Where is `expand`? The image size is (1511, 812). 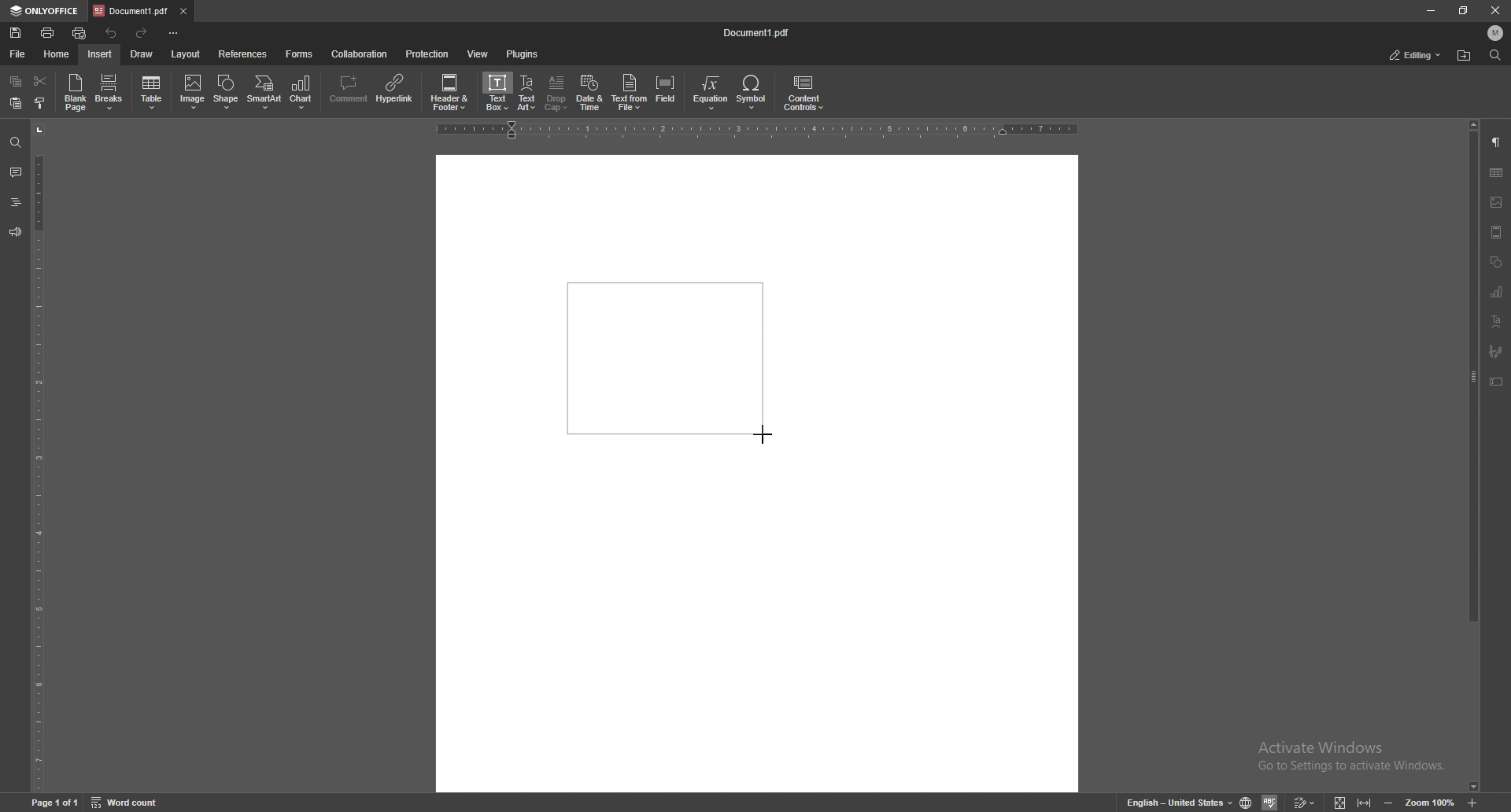 expand is located at coordinates (1350, 803).